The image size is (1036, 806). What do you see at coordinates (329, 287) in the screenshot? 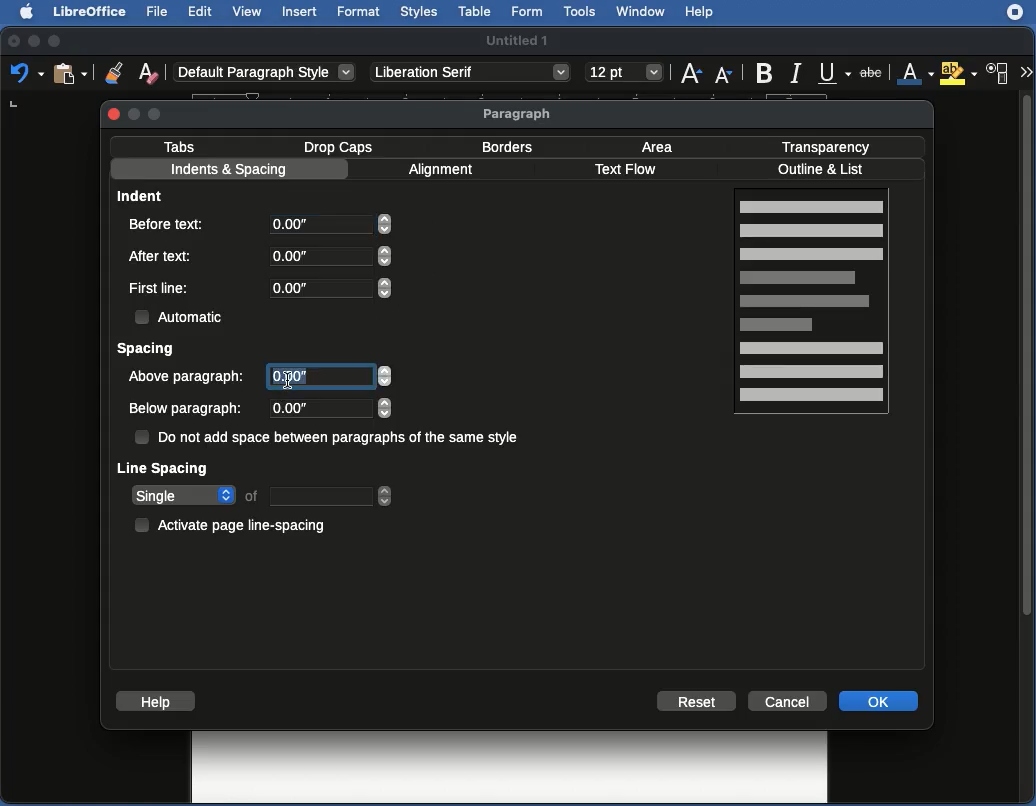
I see `0.00"` at bounding box center [329, 287].